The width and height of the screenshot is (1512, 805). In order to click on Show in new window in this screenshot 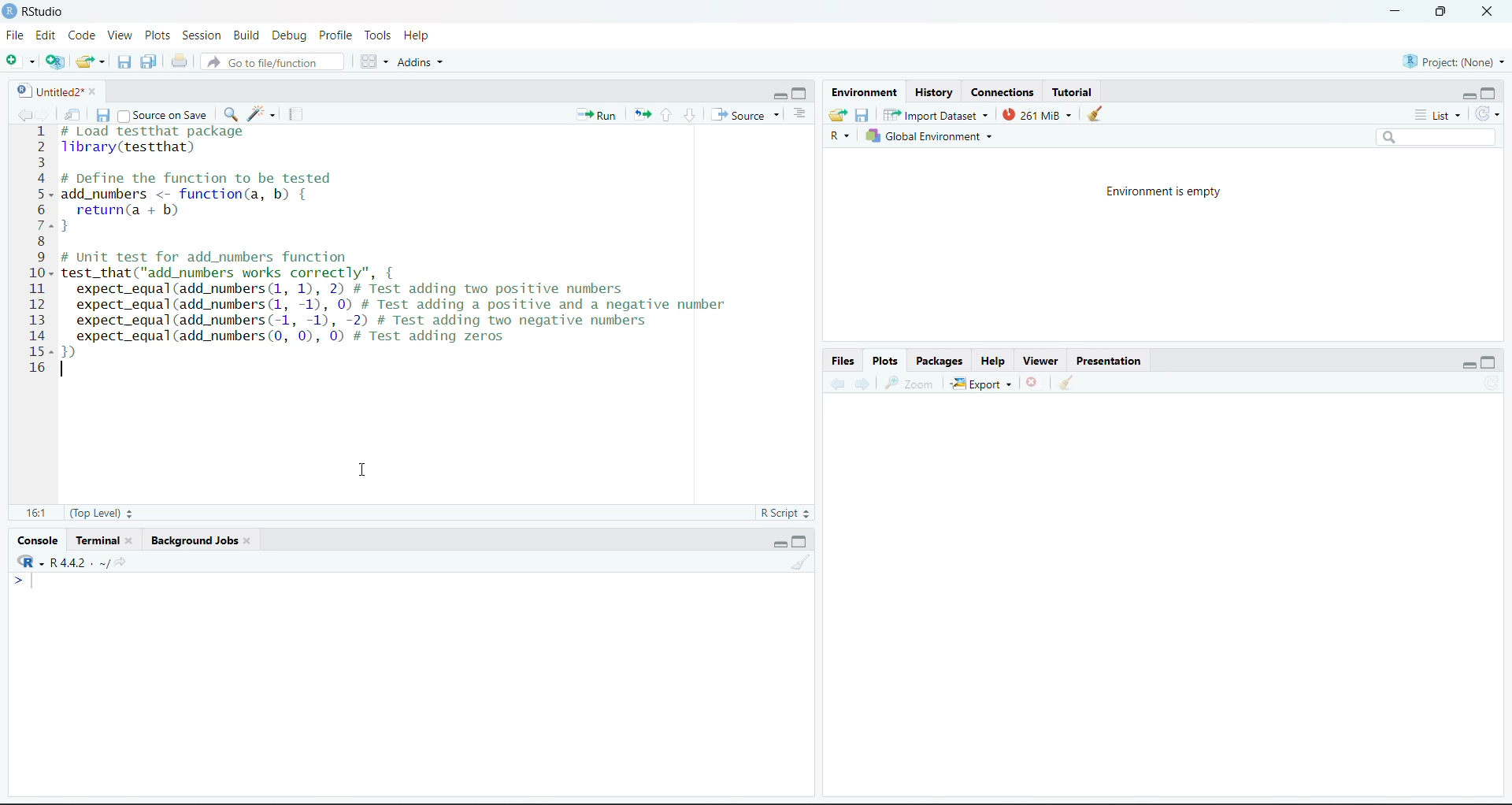, I will do `click(73, 115)`.